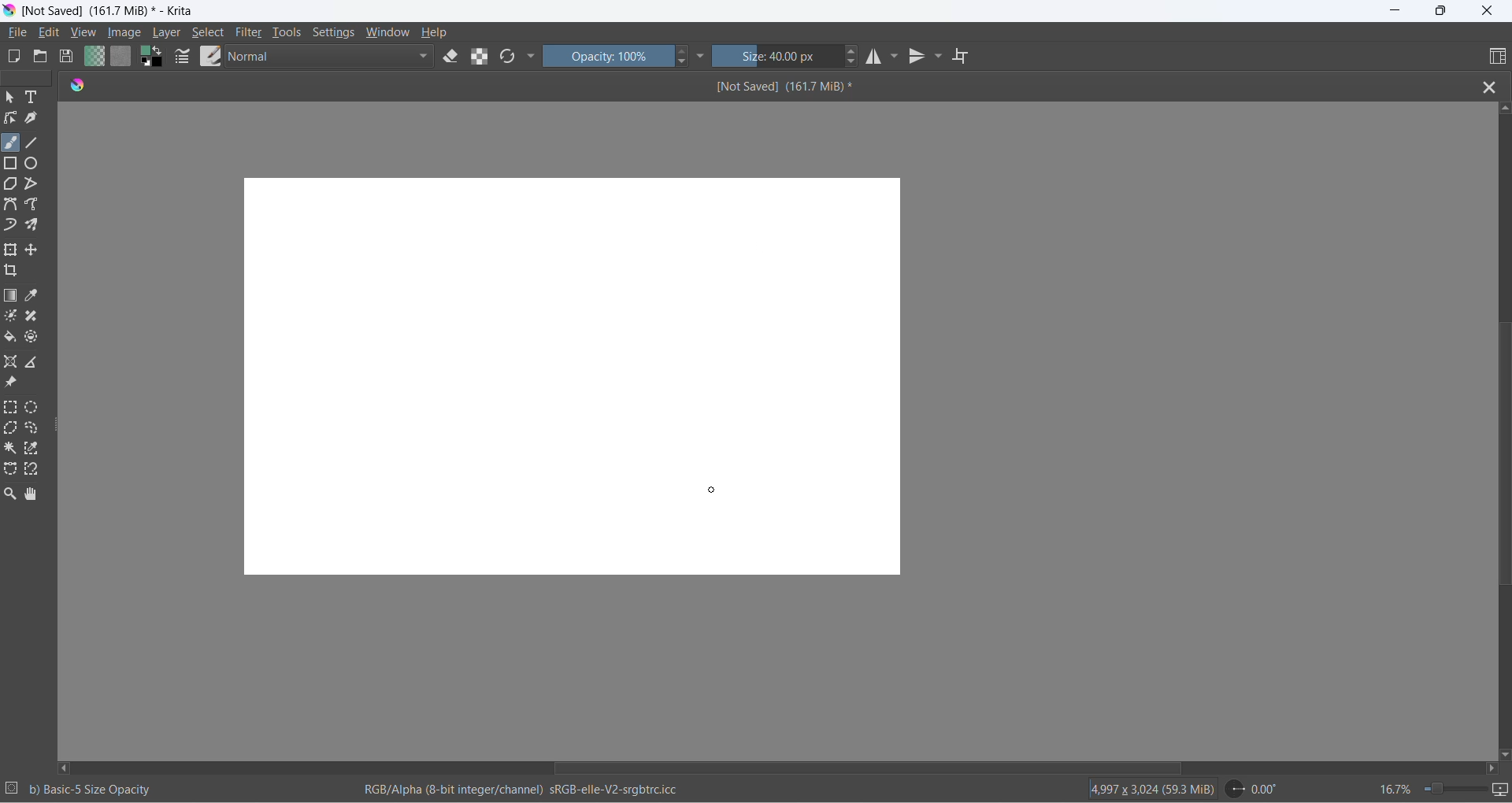  Describe the element at coordinates (527, 790) in the screenshot. I see `rgb information` at that location.